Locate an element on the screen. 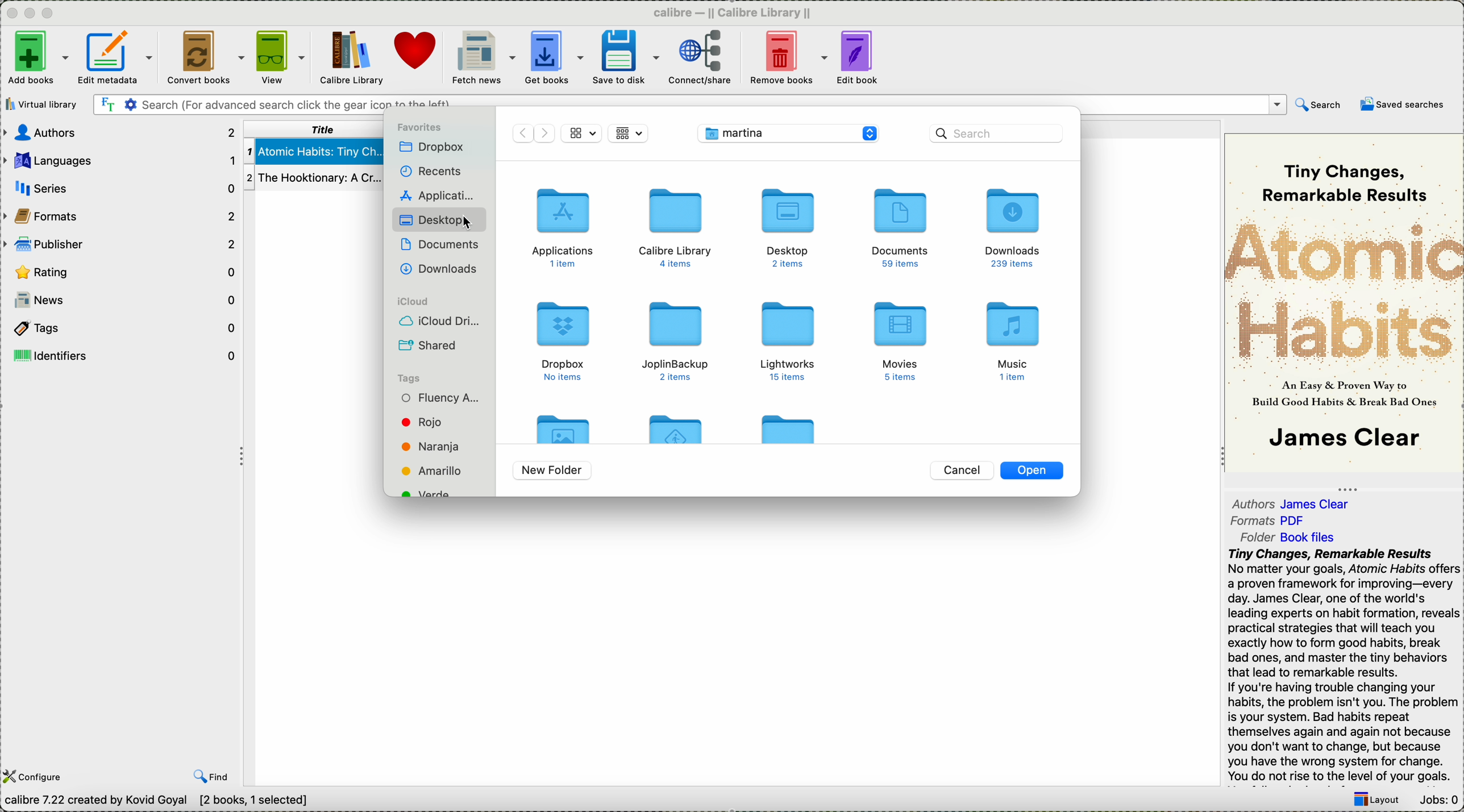 The image size is (1464, 812). book cover preview is located at coordinates (1344, 302).